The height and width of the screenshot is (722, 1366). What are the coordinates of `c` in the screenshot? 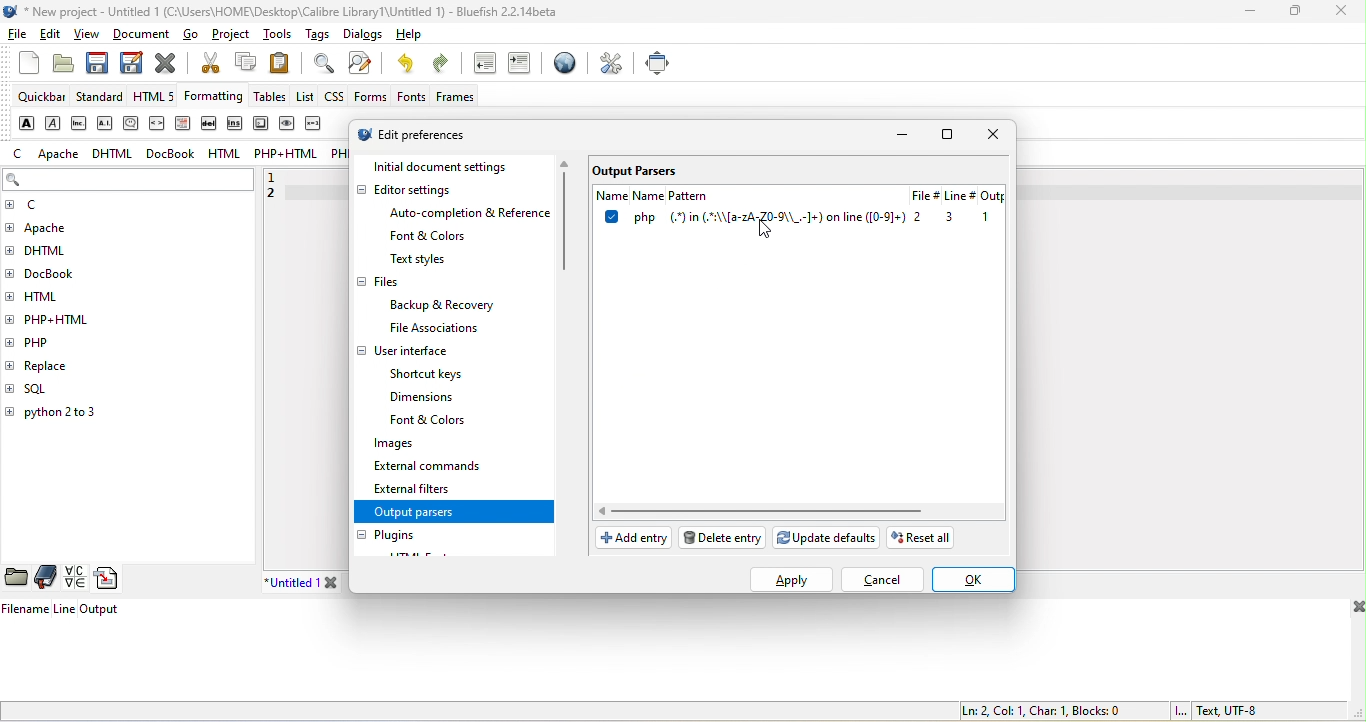 It's located at (19, 154).